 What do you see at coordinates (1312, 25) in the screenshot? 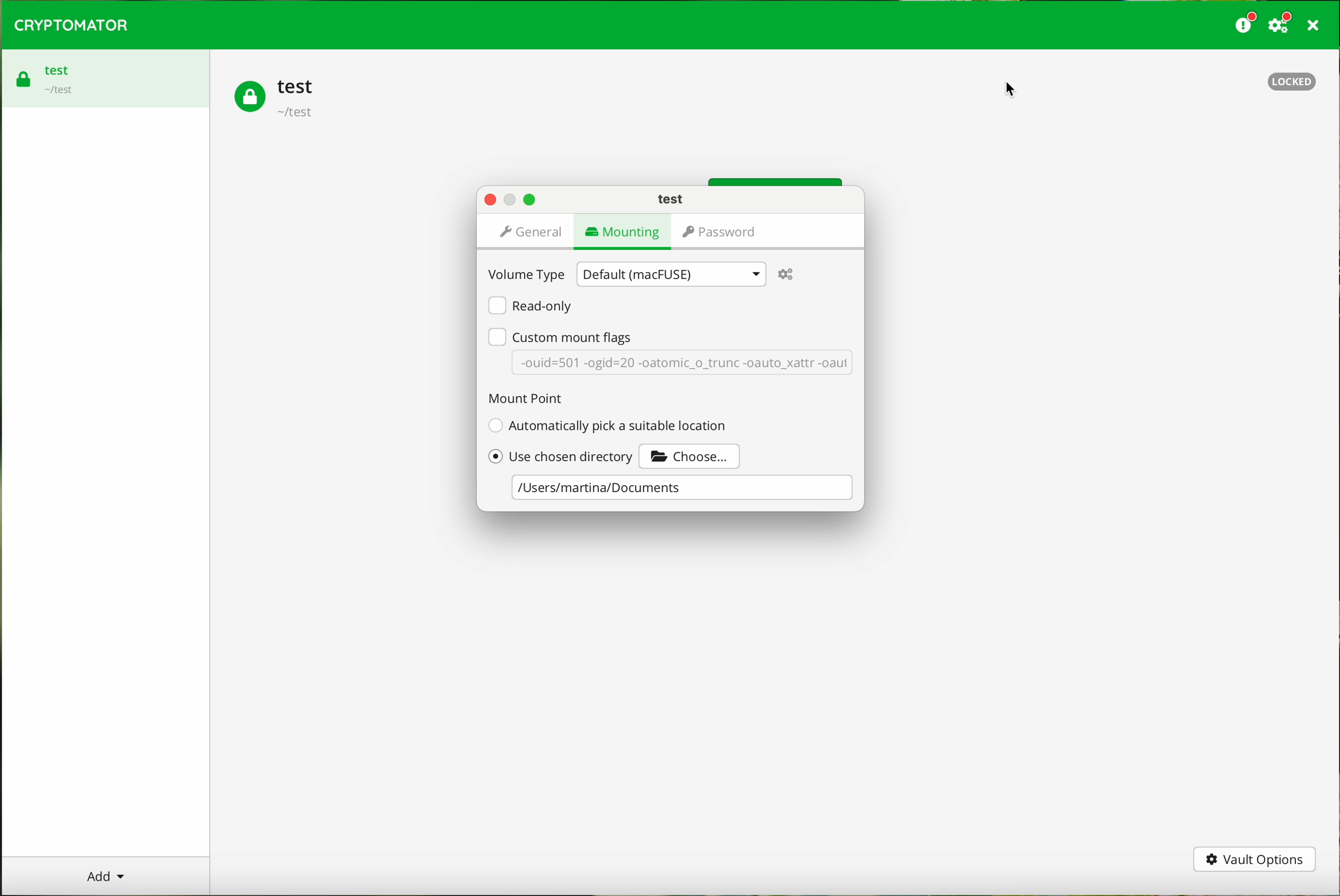
I see `close` at bounding box center [1312, 25].